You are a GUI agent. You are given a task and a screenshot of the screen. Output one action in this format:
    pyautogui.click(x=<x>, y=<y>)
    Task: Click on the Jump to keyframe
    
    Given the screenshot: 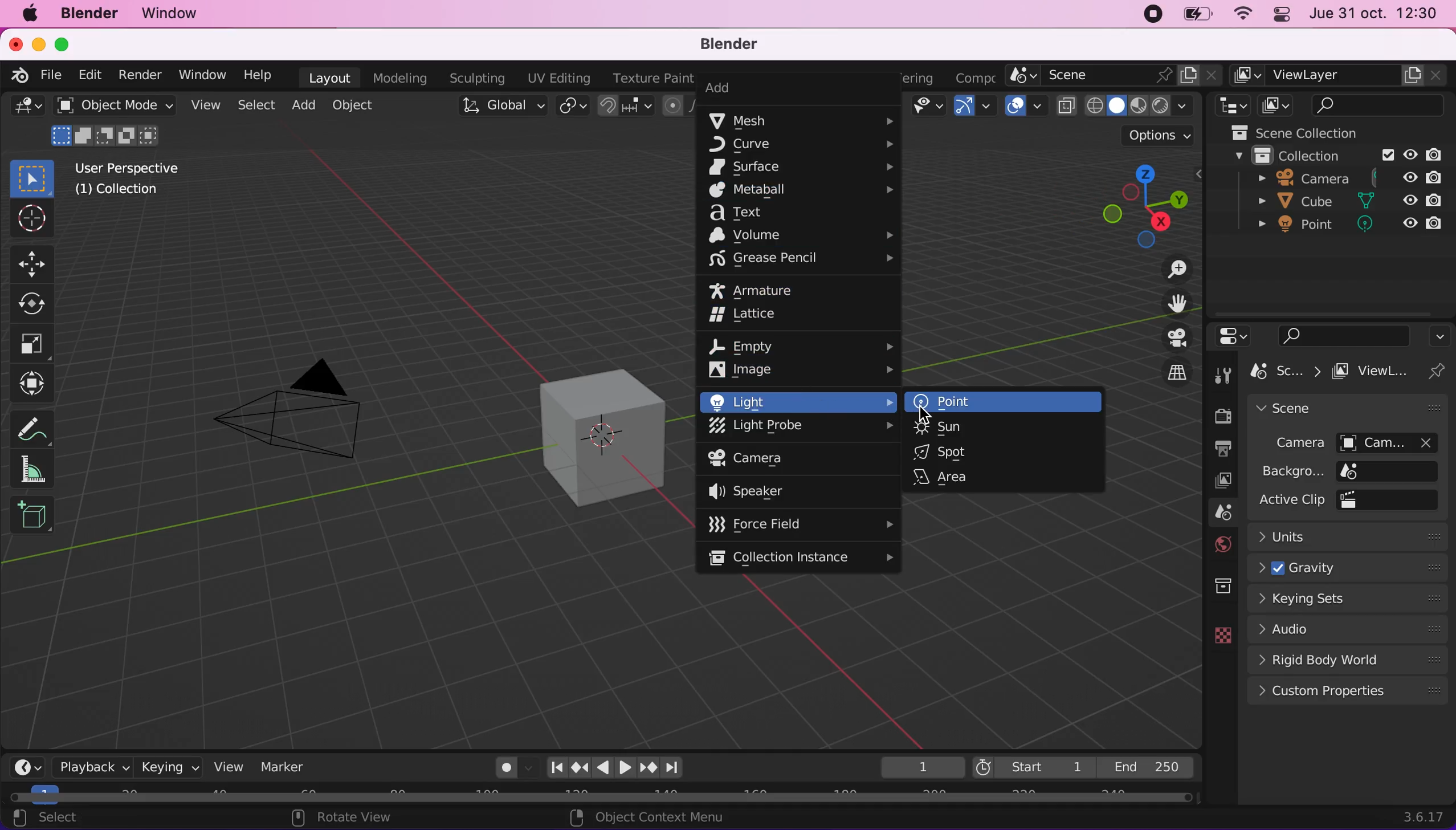 What is the action you would take?
    pyautogui.click(x=650, y=768)
    